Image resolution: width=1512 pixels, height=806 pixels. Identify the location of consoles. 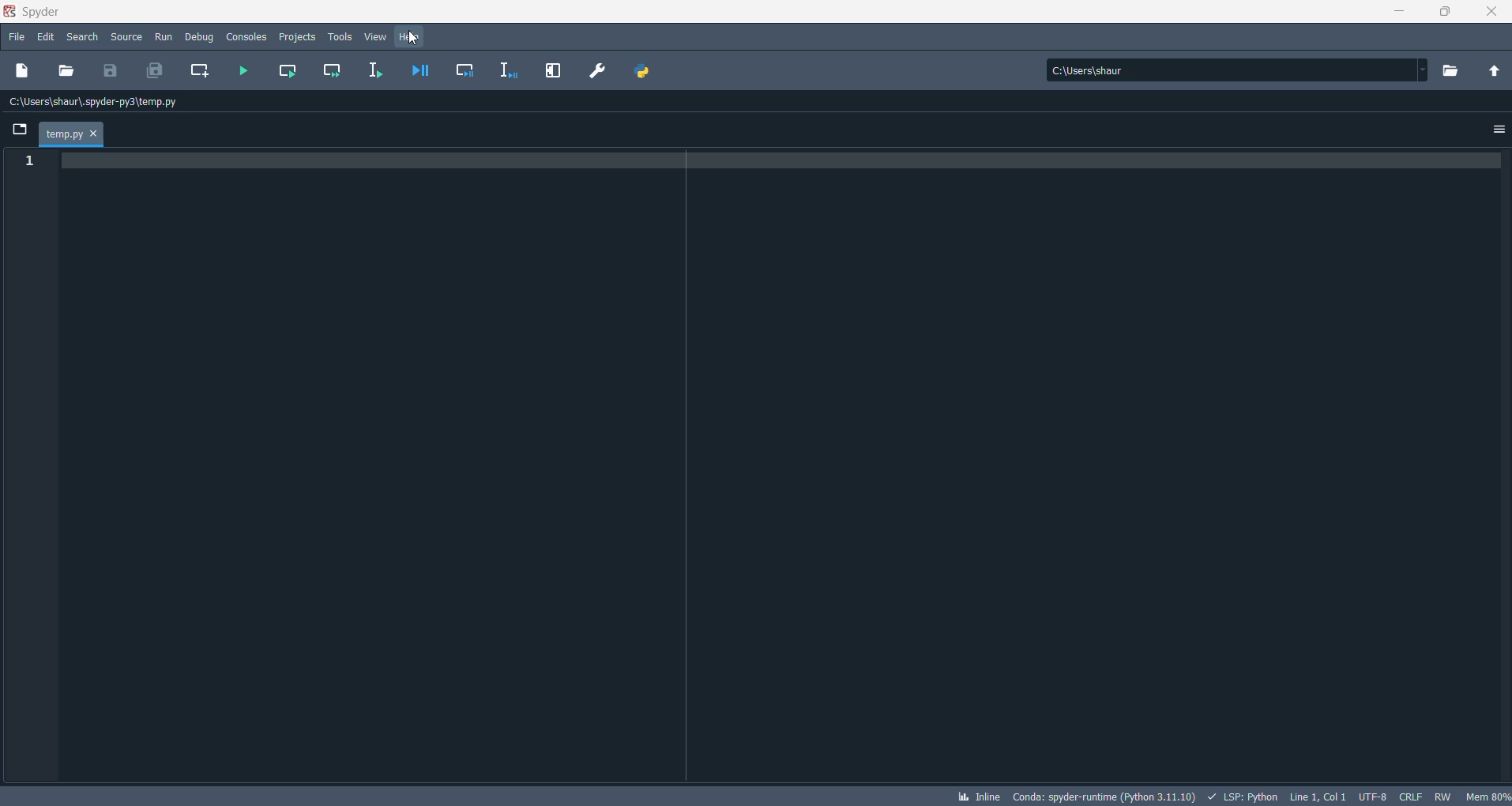
(246, 36).